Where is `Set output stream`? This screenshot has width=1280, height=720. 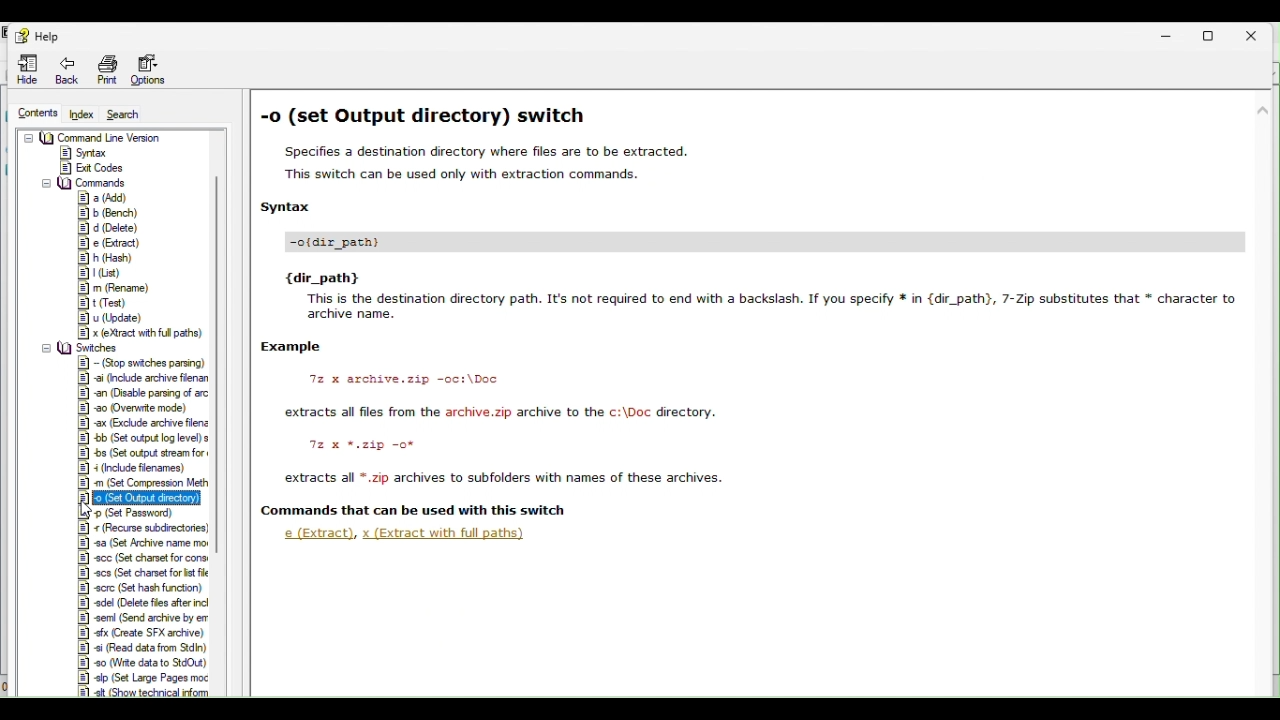 Set output stream is located at coordinates (143, 452).